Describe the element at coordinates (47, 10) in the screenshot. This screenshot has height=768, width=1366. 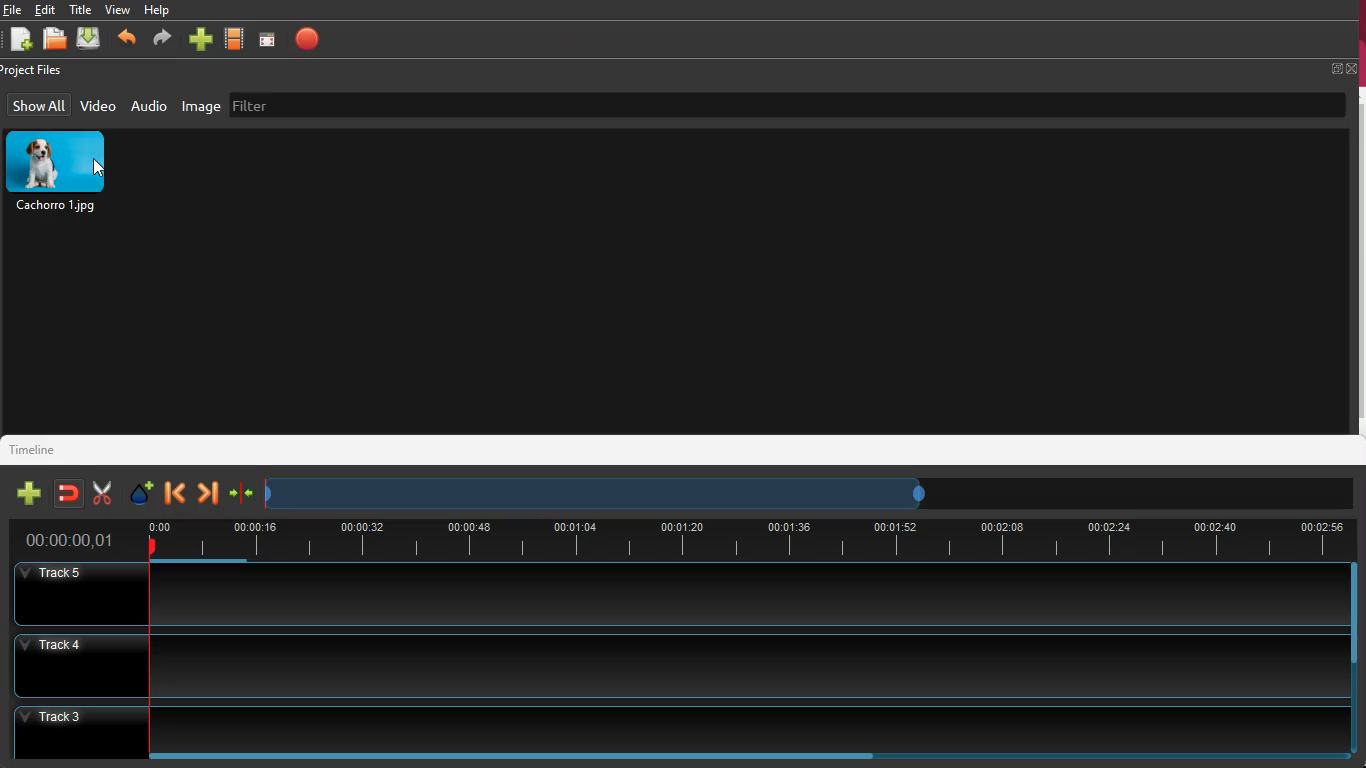
I see `edit` at that location.